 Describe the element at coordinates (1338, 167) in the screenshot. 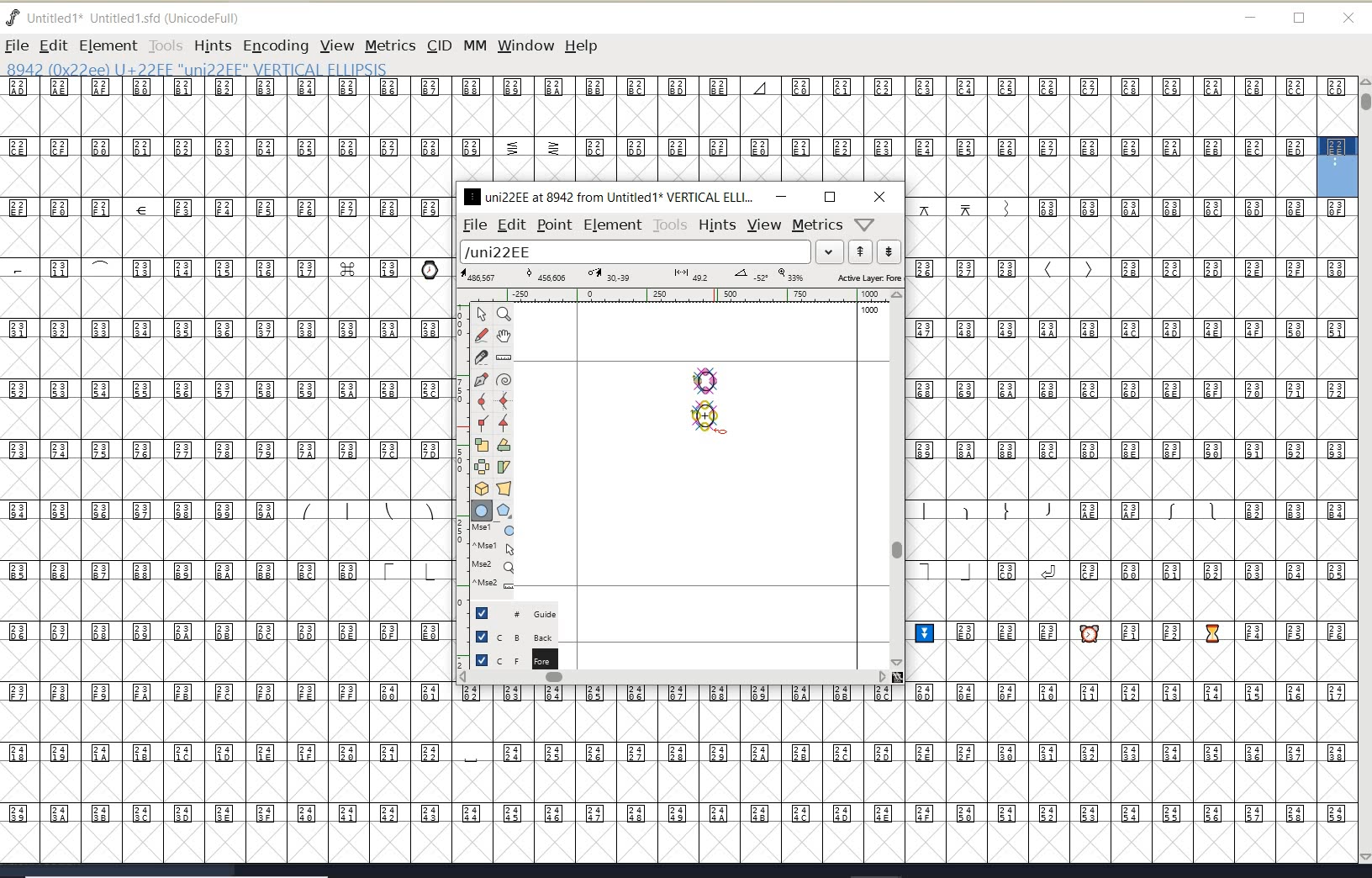

I see `glyph selected` at that location.